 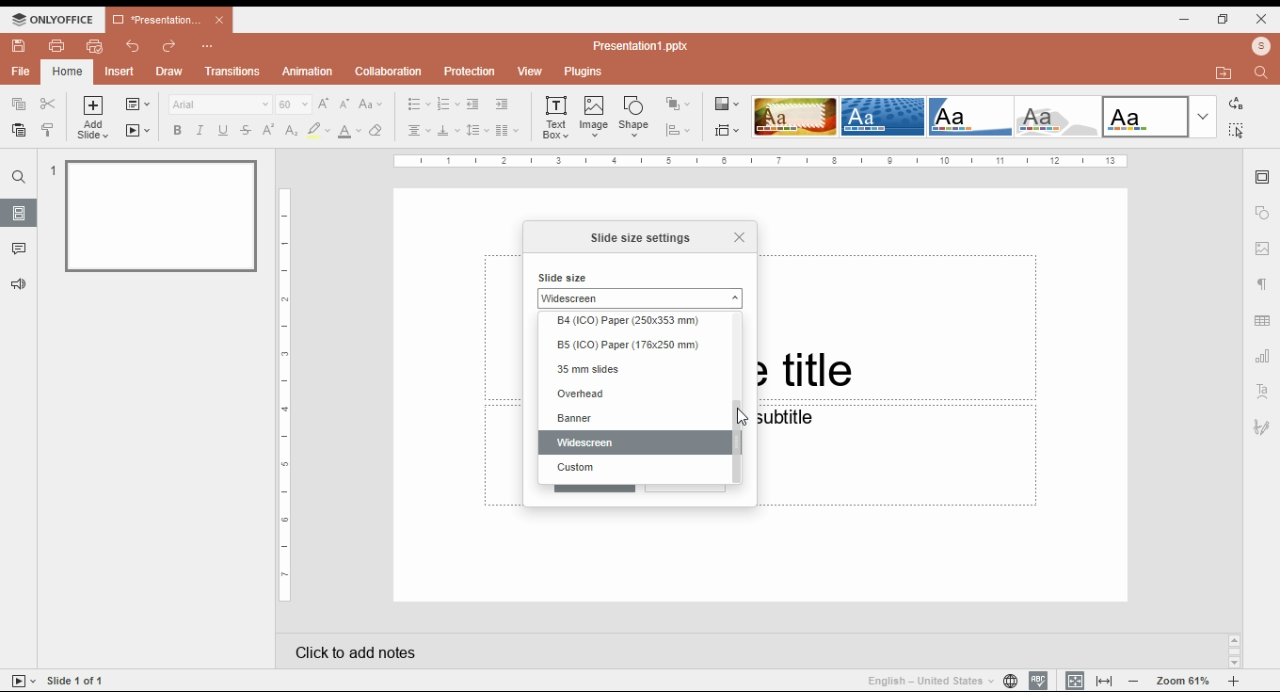 I want to click on subscript, so click(x=289, y=130).